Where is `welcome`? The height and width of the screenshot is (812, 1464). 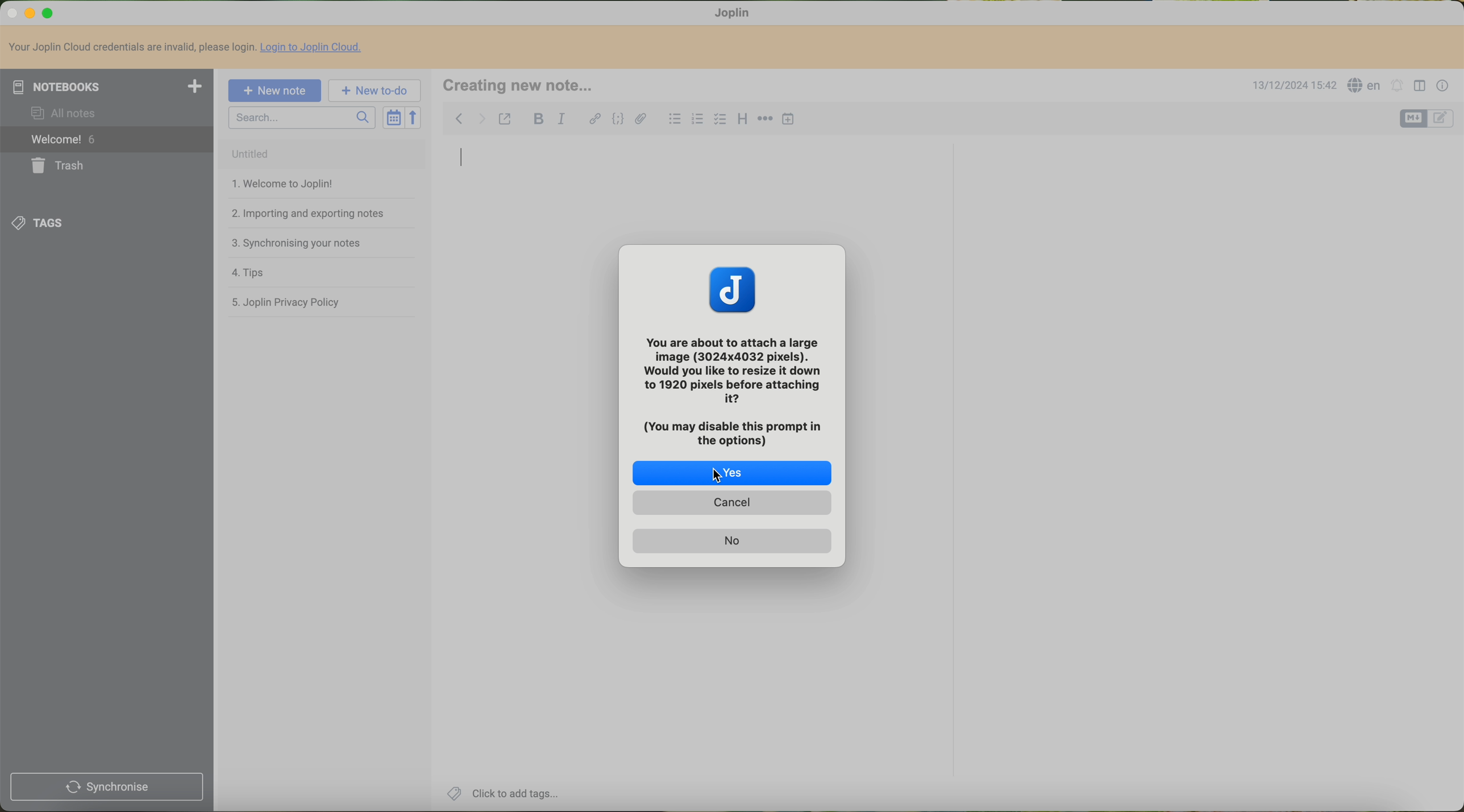 welcome is located at coordinates (107, 140).